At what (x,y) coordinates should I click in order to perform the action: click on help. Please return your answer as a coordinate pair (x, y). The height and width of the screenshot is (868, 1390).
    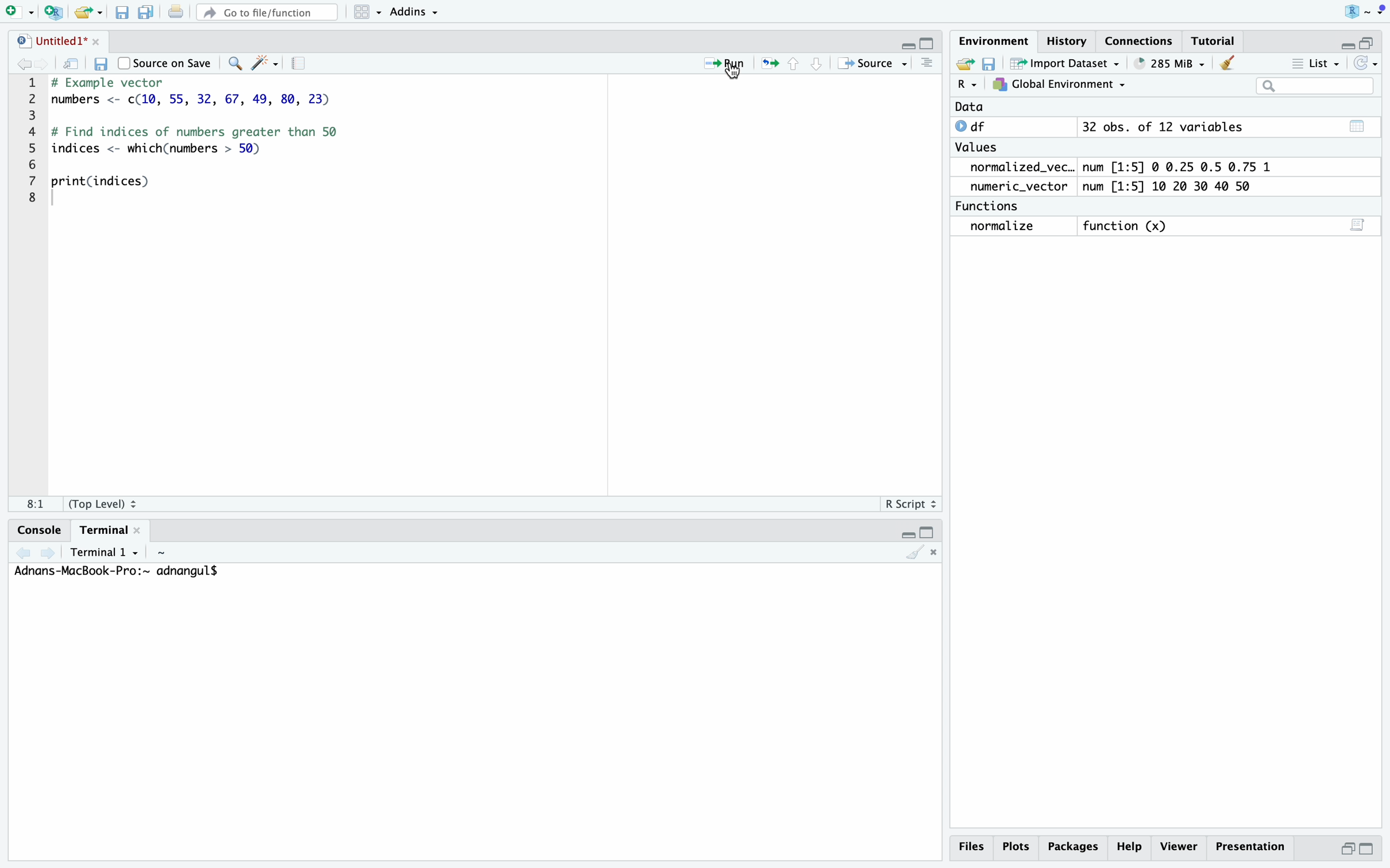
    Looking at the image, I should click on (1132, 846).